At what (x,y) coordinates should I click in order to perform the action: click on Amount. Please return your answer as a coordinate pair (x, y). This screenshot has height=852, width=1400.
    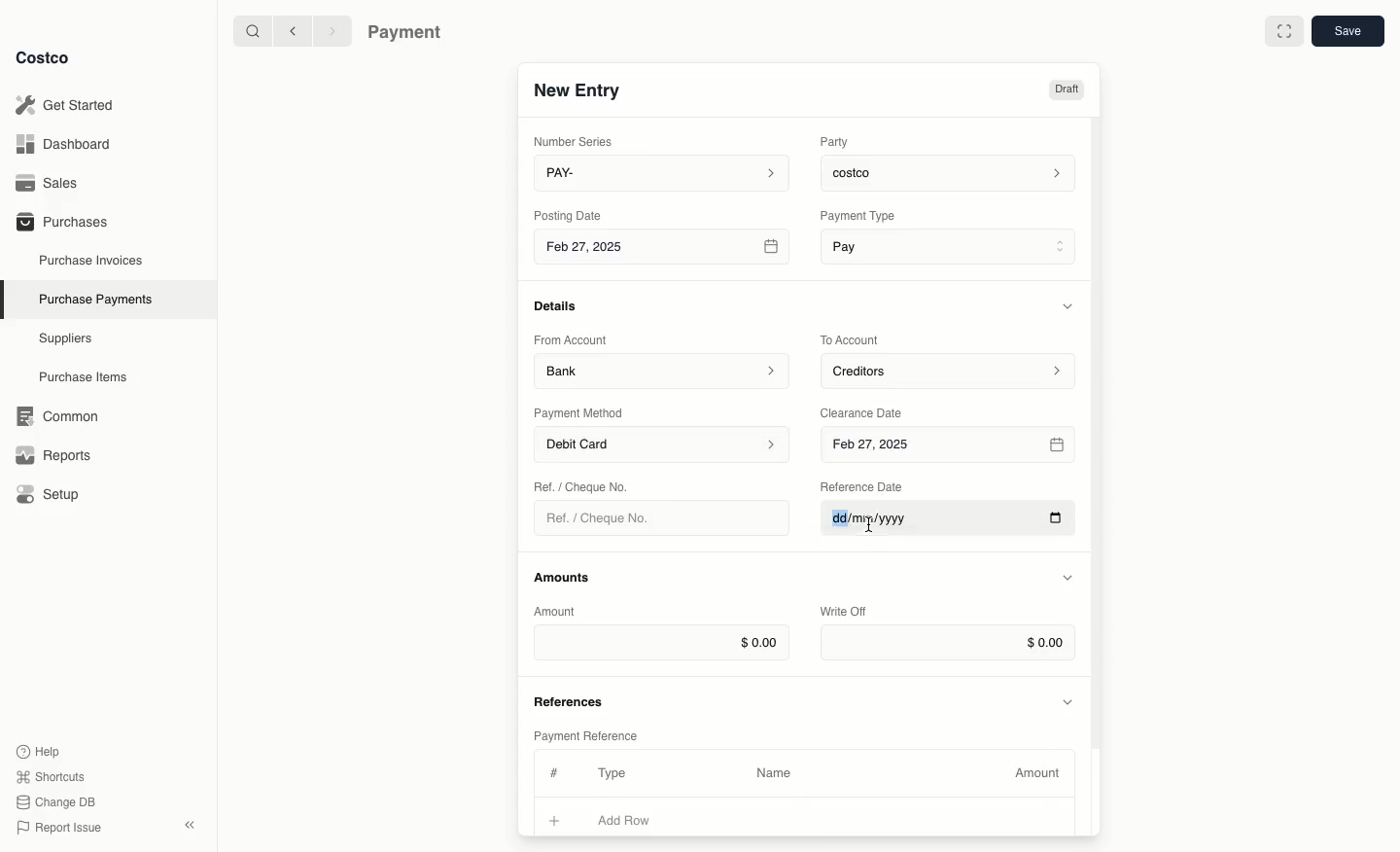
    Looking at the image, I should click on (558, 611).